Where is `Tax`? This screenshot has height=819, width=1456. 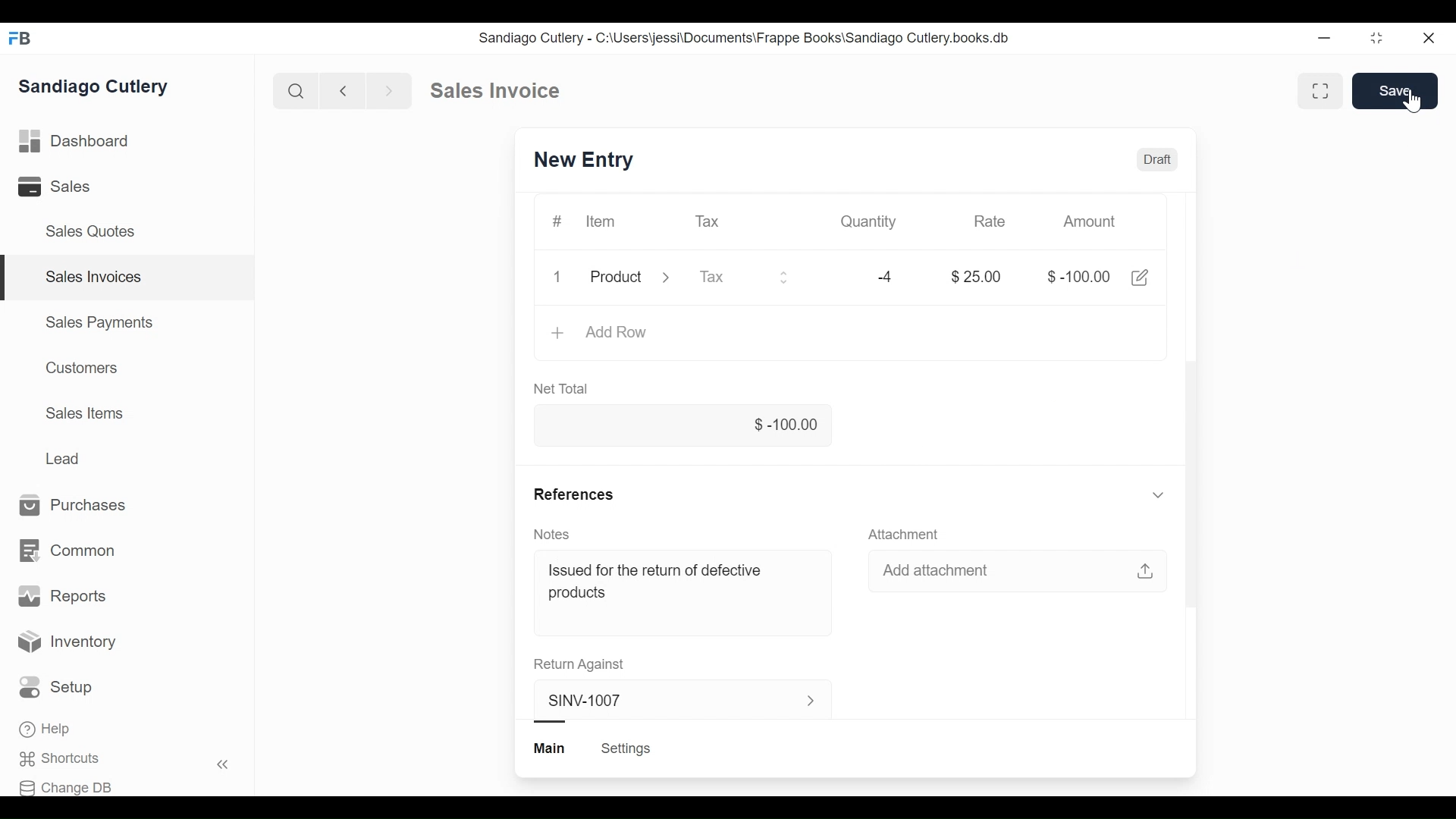 Tax is located at coordinates (708, 221).